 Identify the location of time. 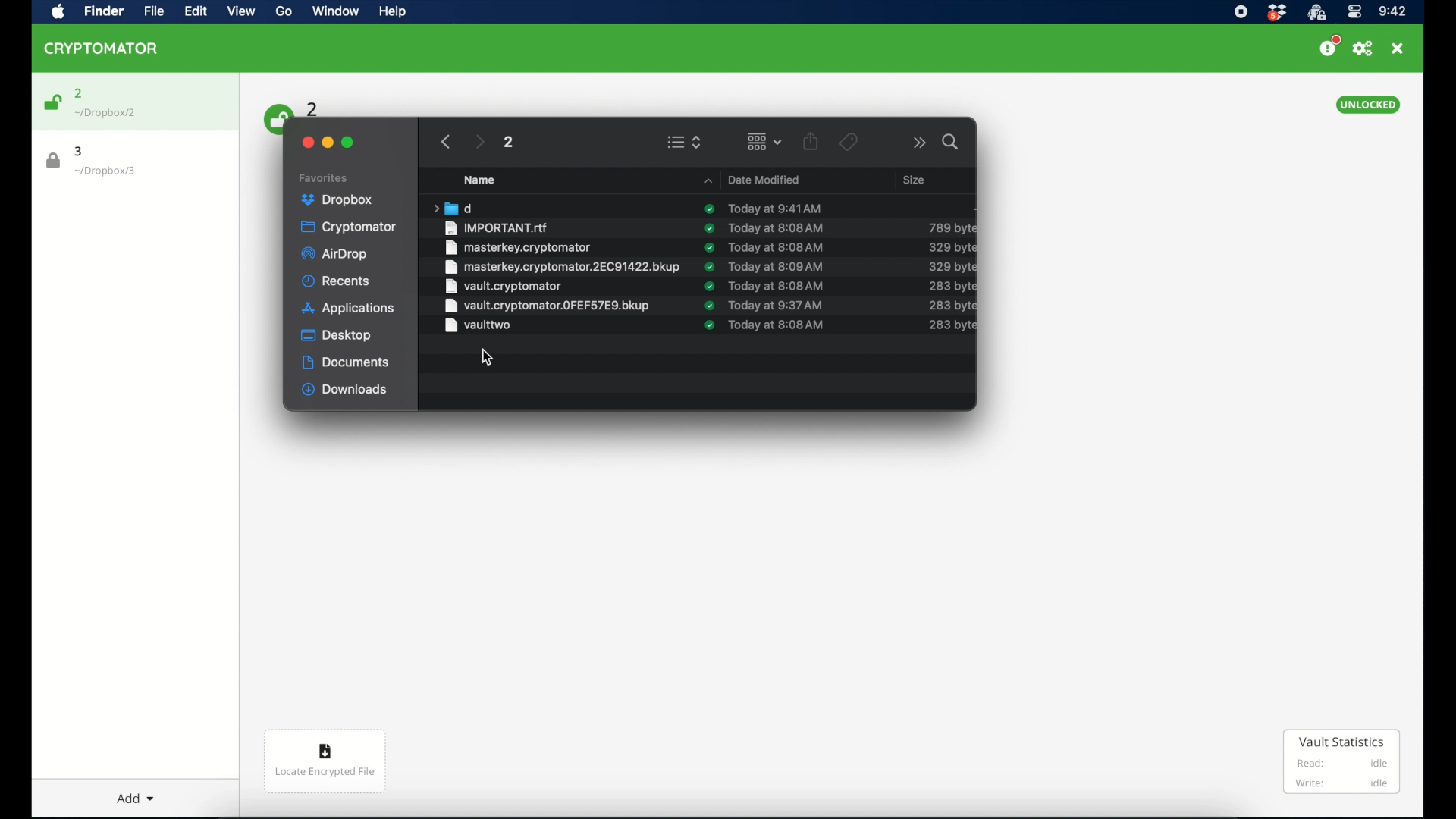
(1392, 12).